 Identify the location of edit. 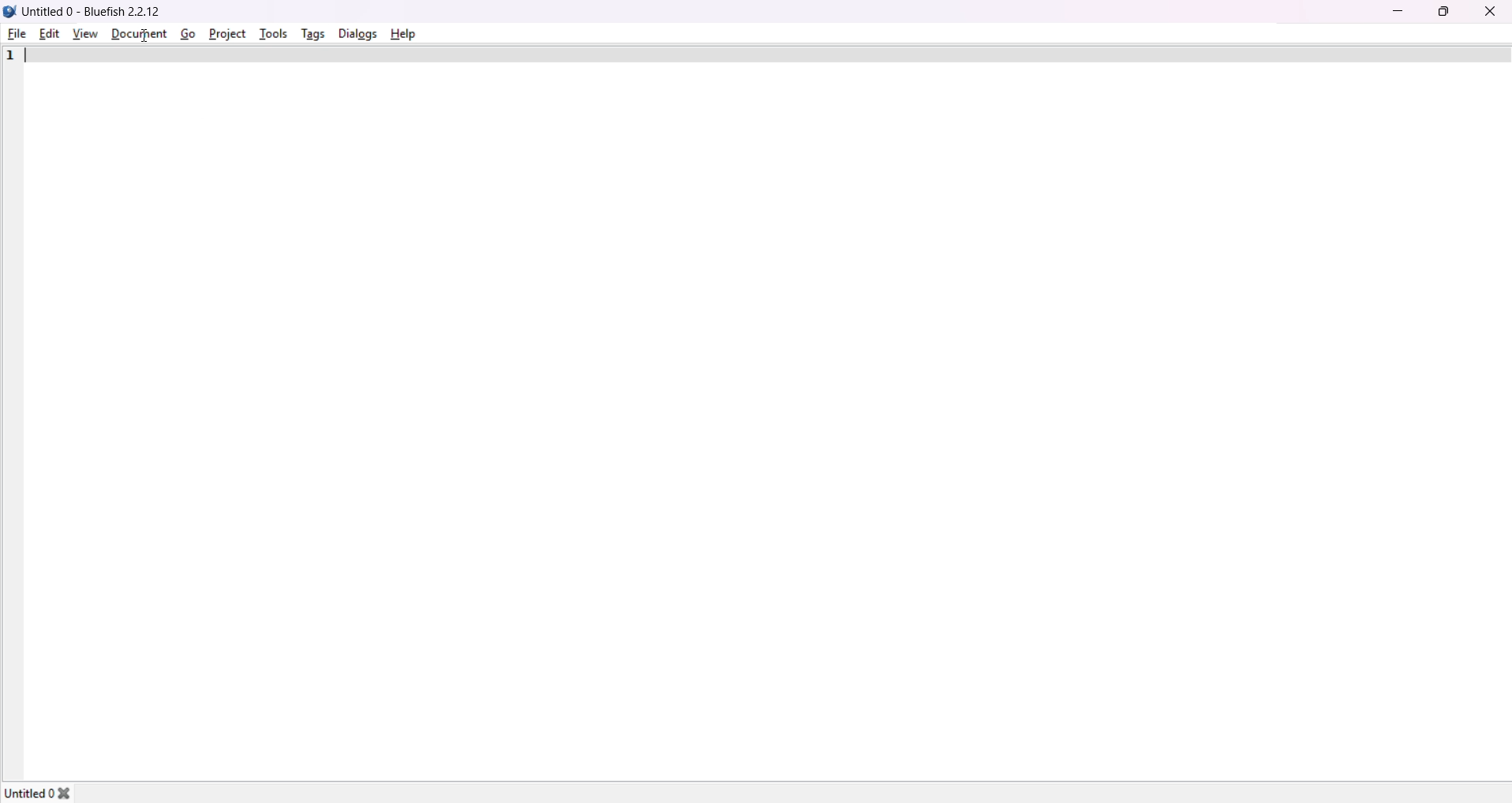
(49, 32).